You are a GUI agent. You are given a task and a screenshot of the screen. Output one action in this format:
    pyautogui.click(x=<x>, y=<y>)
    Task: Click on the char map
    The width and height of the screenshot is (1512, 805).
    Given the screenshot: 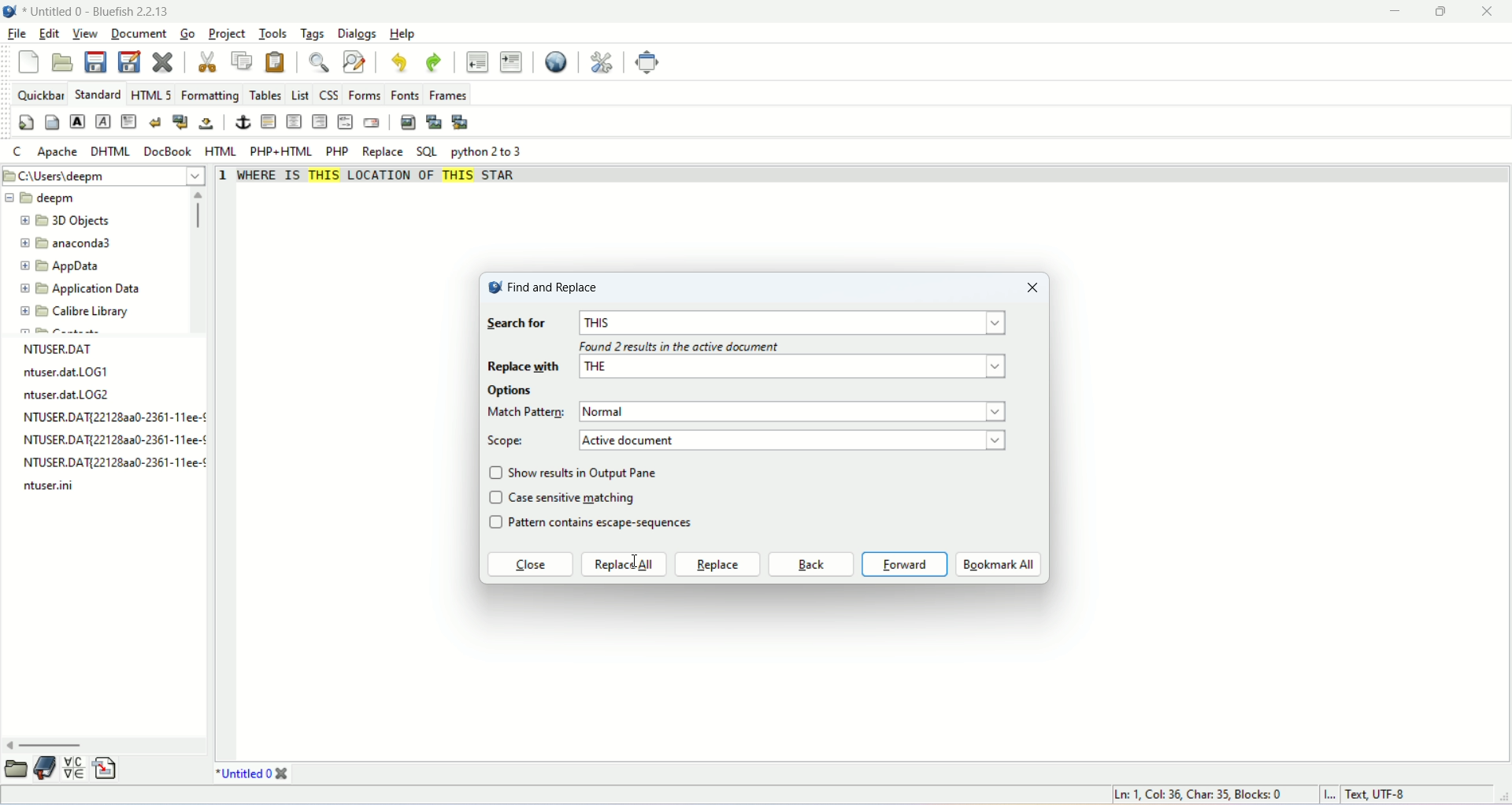 What is the action you would take?
    pyautogui.click(x=74, y=768)
    